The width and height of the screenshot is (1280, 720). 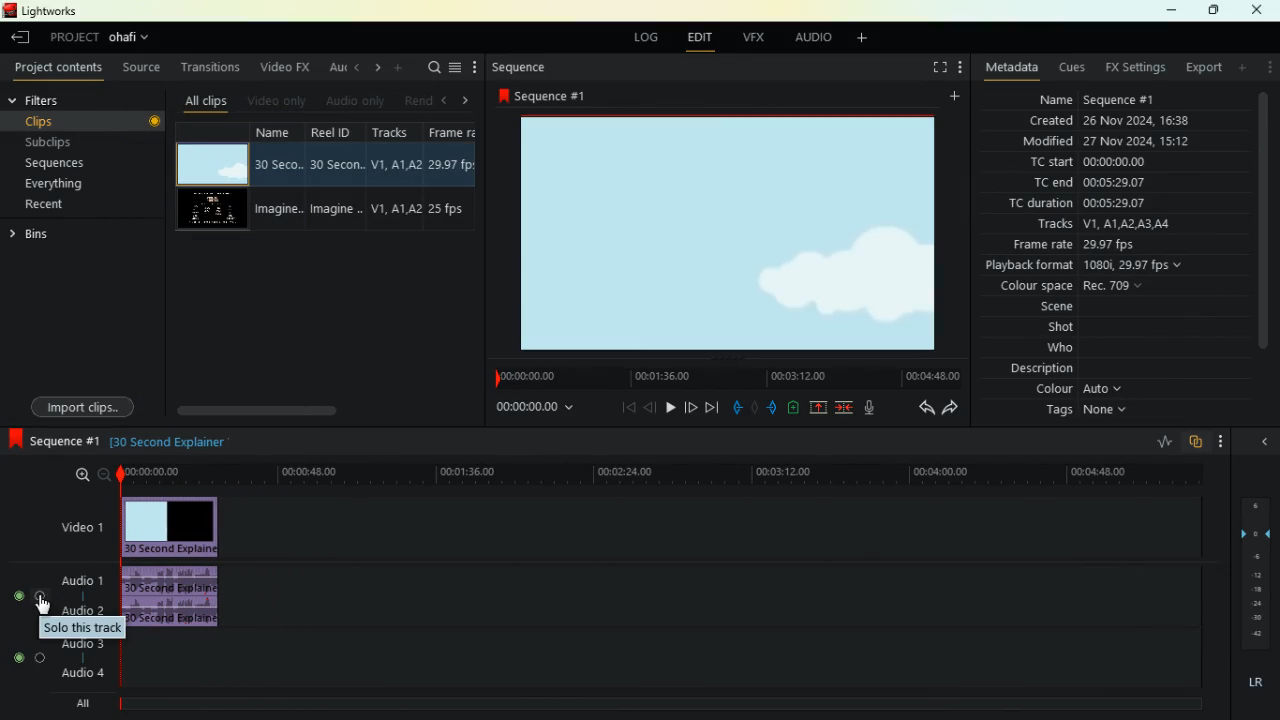 I want to click on audio clip added to timeline, so click(x=176, y=594).